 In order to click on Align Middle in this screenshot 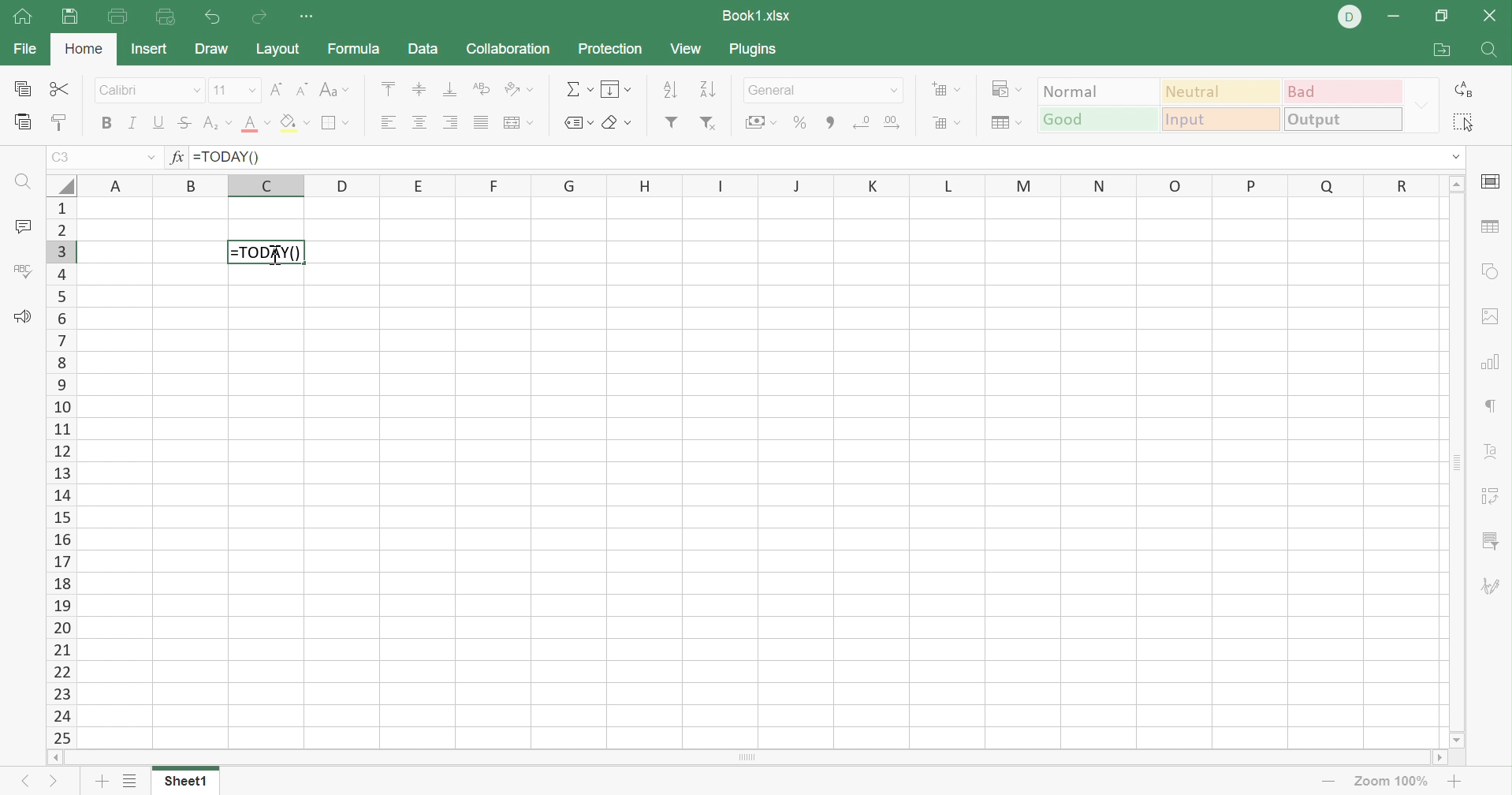, I will do `click(420, 88)`.